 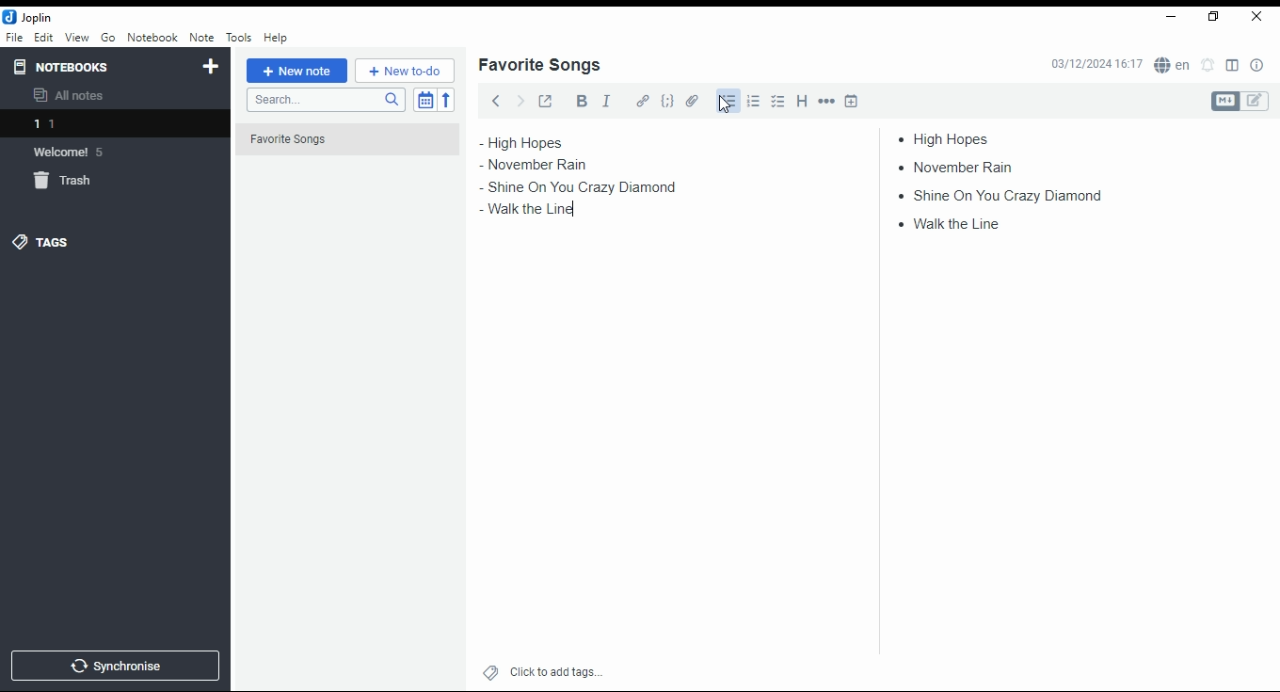 What do you see at coordinates (726, 101) in the screenshot?
I see `bullets` at bounding box center [726, 101].